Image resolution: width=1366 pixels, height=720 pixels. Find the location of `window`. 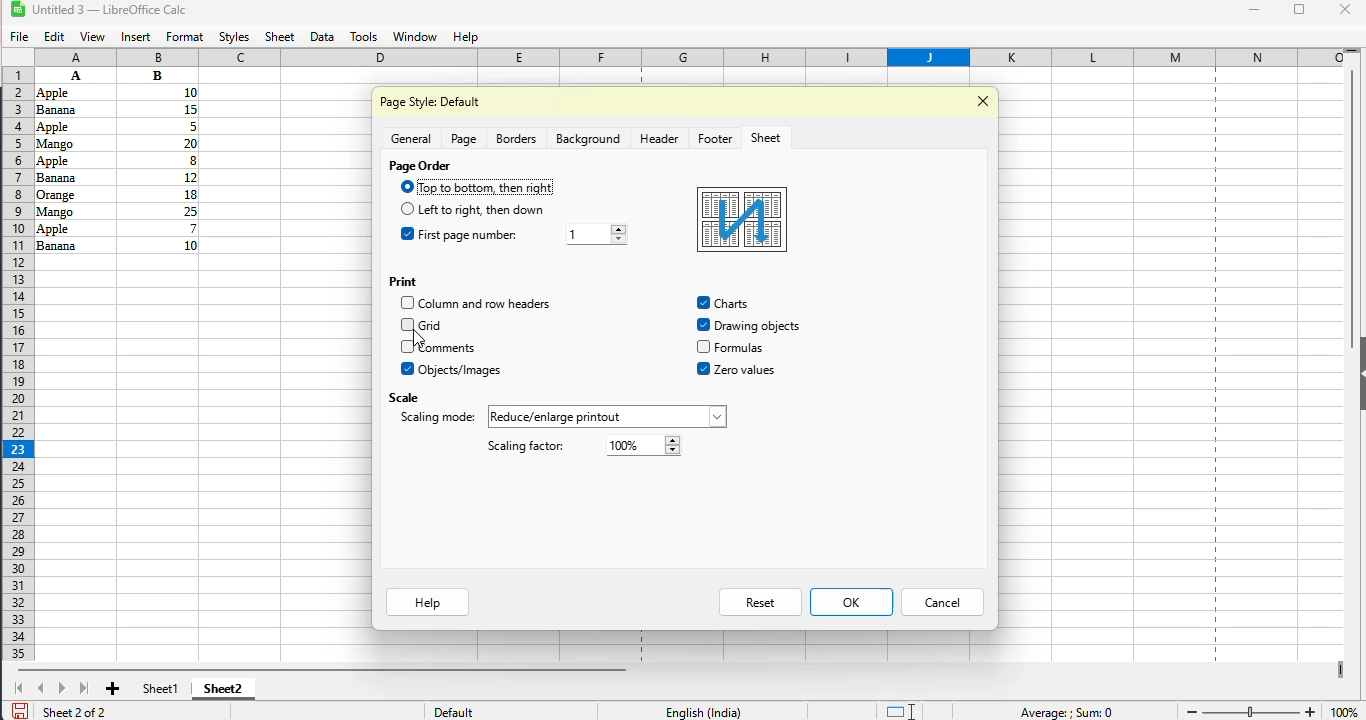

window is located at coordinates (414, 37).